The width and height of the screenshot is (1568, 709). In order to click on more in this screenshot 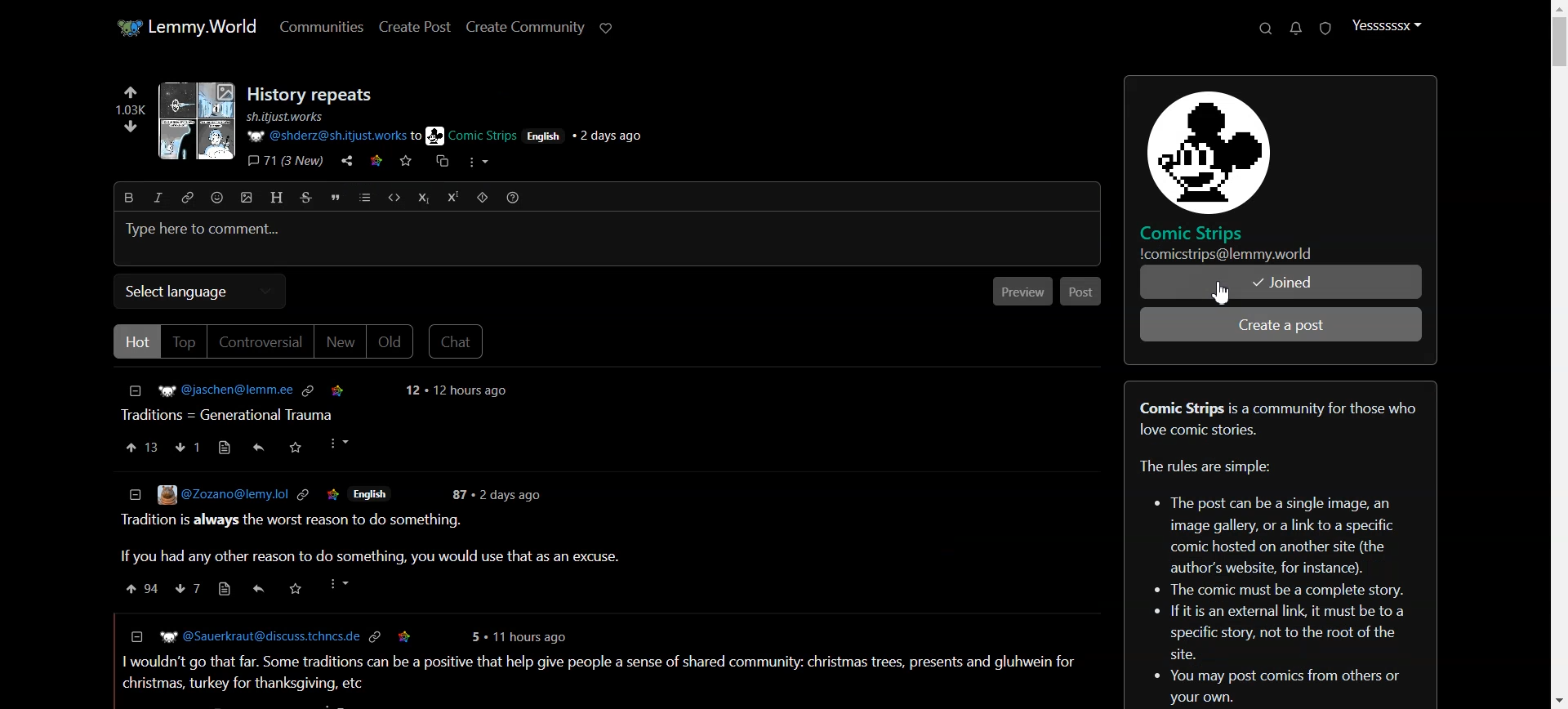, I will do `click(336, 584)`.